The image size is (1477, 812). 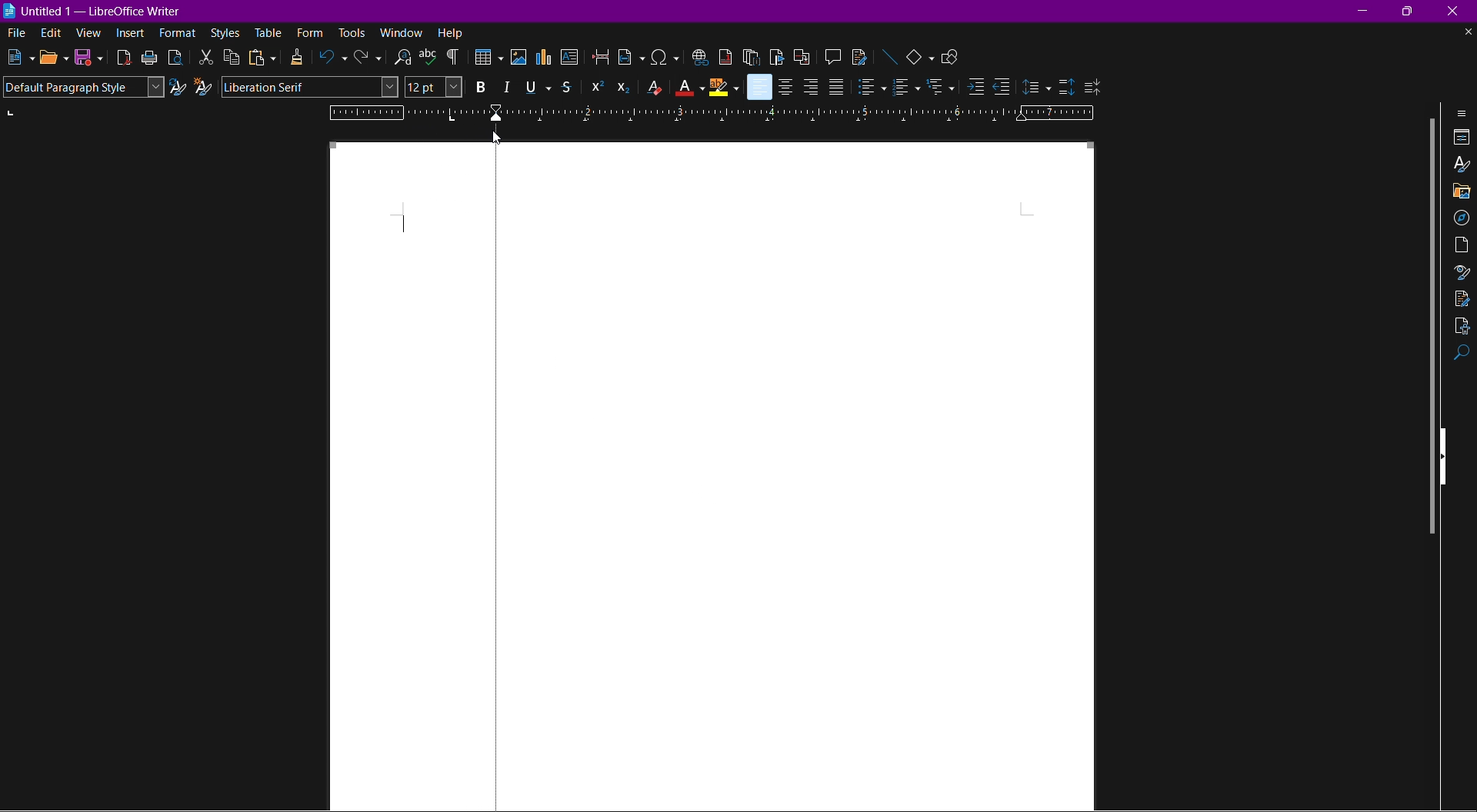 What do you see at coordinates (751, 56) in the screenshot?
I see `Insert Endnote` at bounding box center [751, 56].